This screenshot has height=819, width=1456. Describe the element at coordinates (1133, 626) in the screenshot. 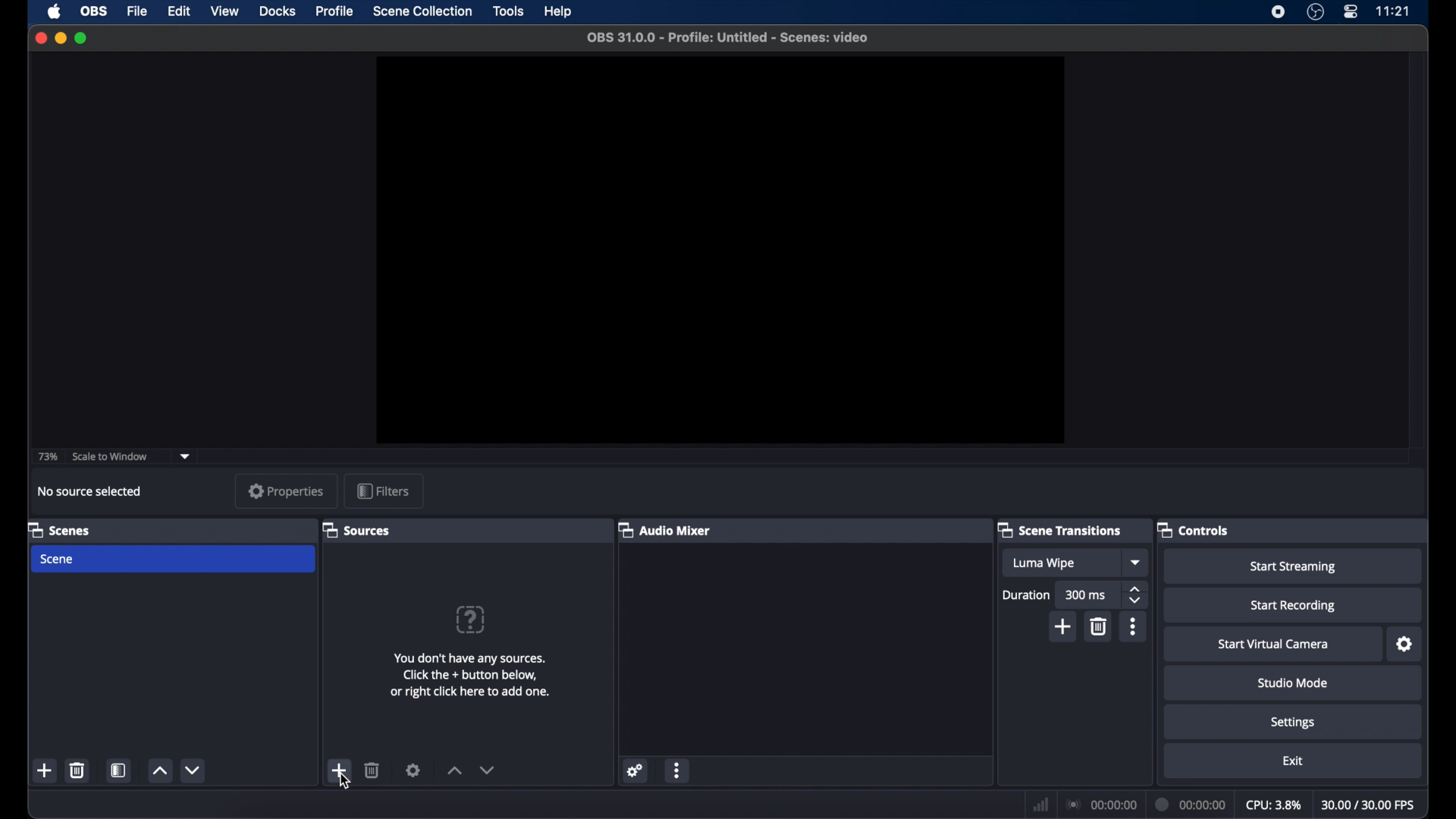

I see `more options` at that location.